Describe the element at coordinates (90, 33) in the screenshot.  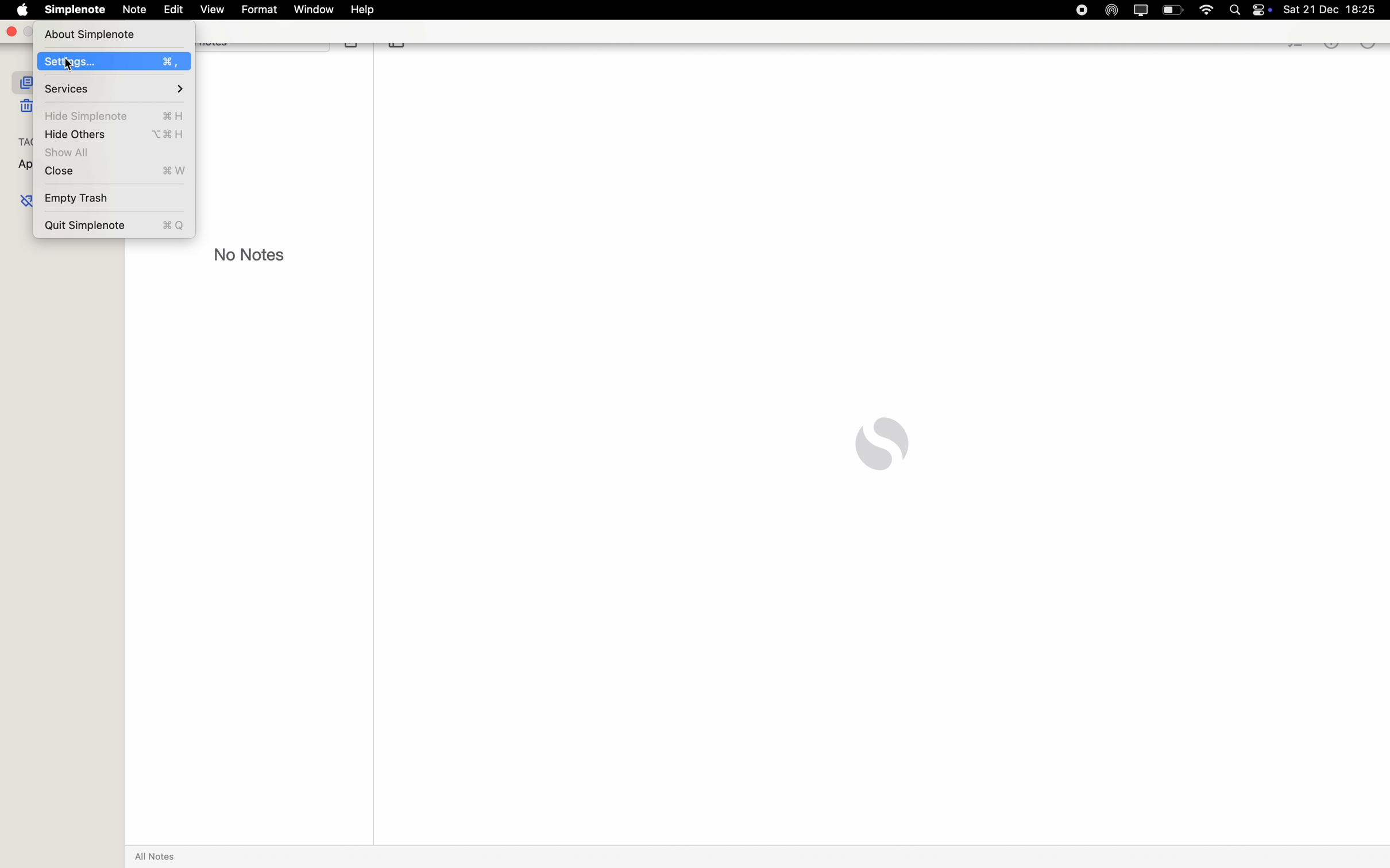
I see `about Simplenote` at that location.